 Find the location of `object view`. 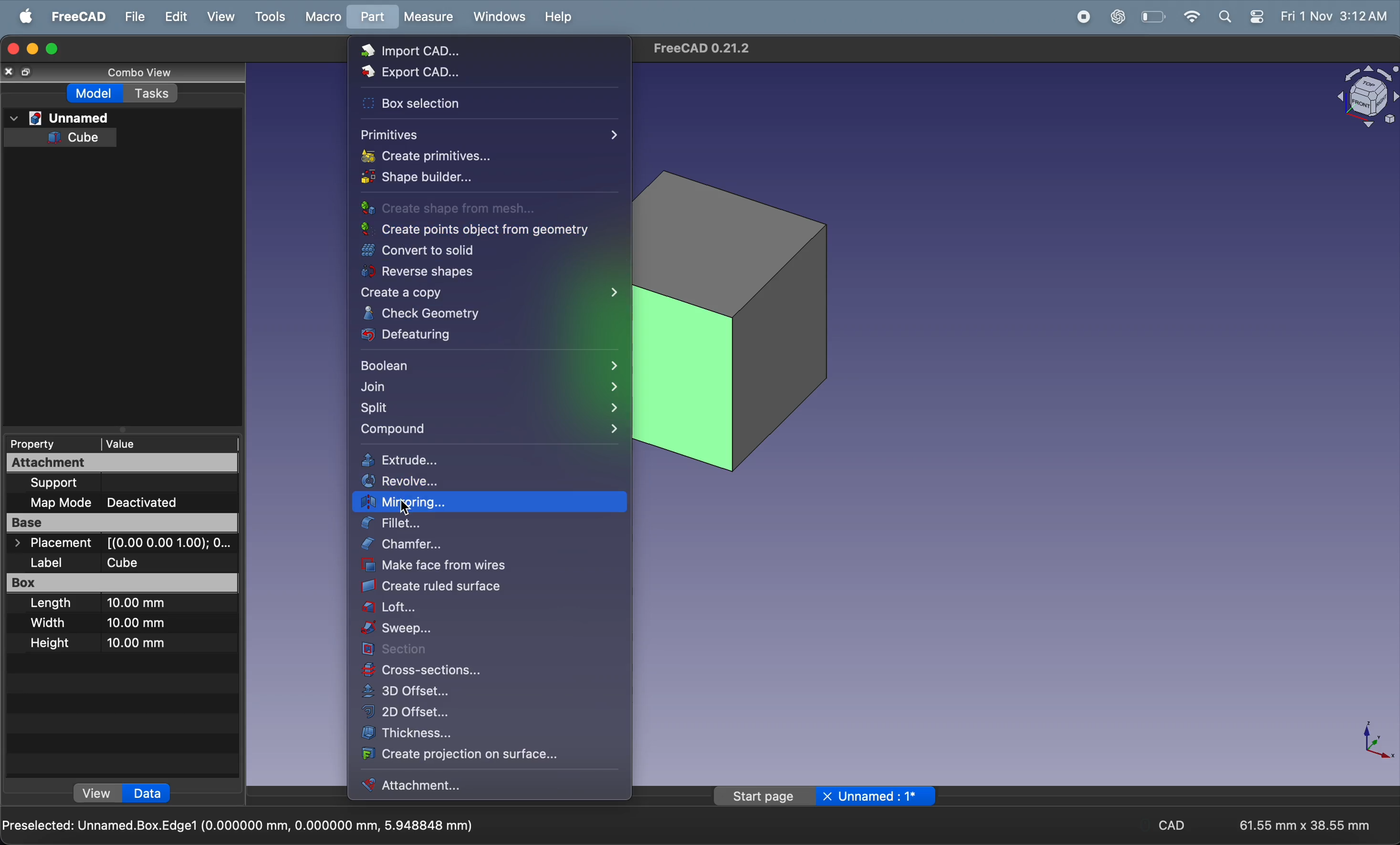

object view is located at coordinates (1365, 100).